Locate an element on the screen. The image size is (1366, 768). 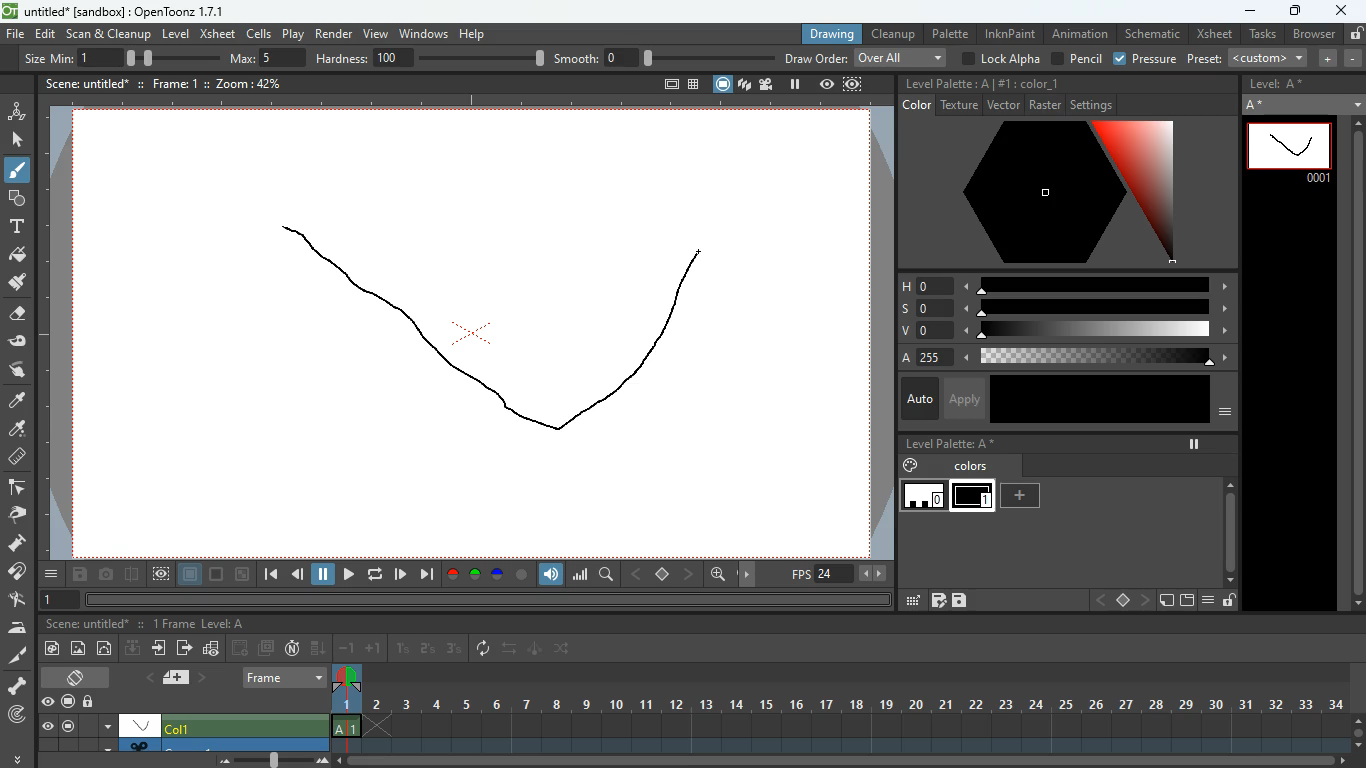
zoom is located at coordinates (718, 574).